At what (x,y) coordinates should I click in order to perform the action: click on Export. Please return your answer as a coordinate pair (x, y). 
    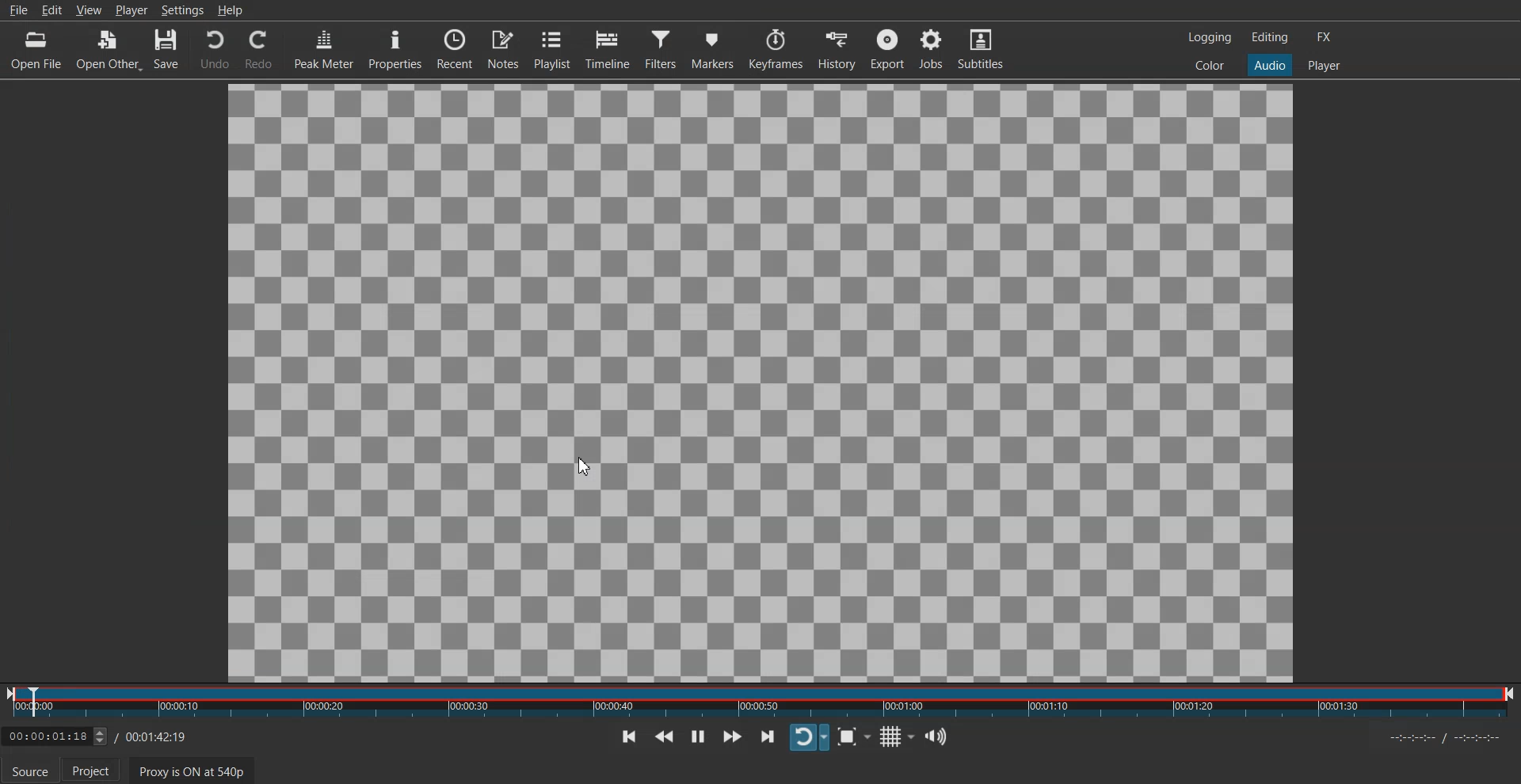
    Looking at the image, I should click on (889, 48).